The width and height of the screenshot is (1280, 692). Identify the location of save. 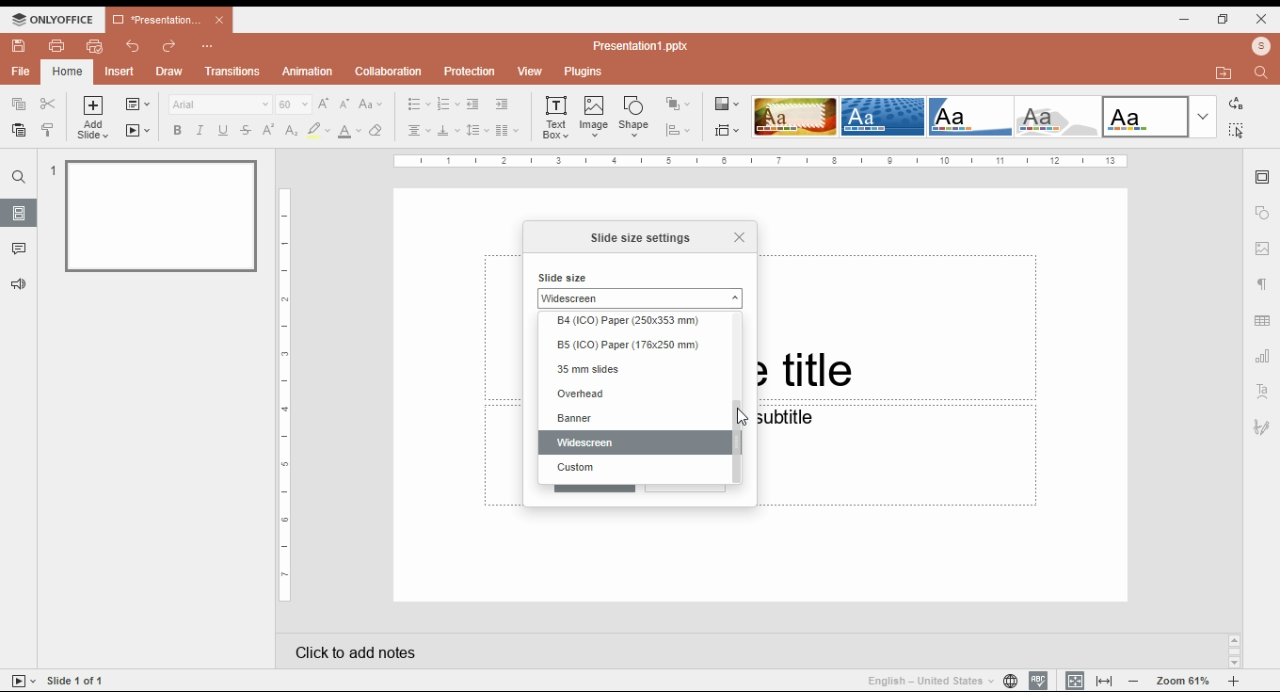
(18, 46).